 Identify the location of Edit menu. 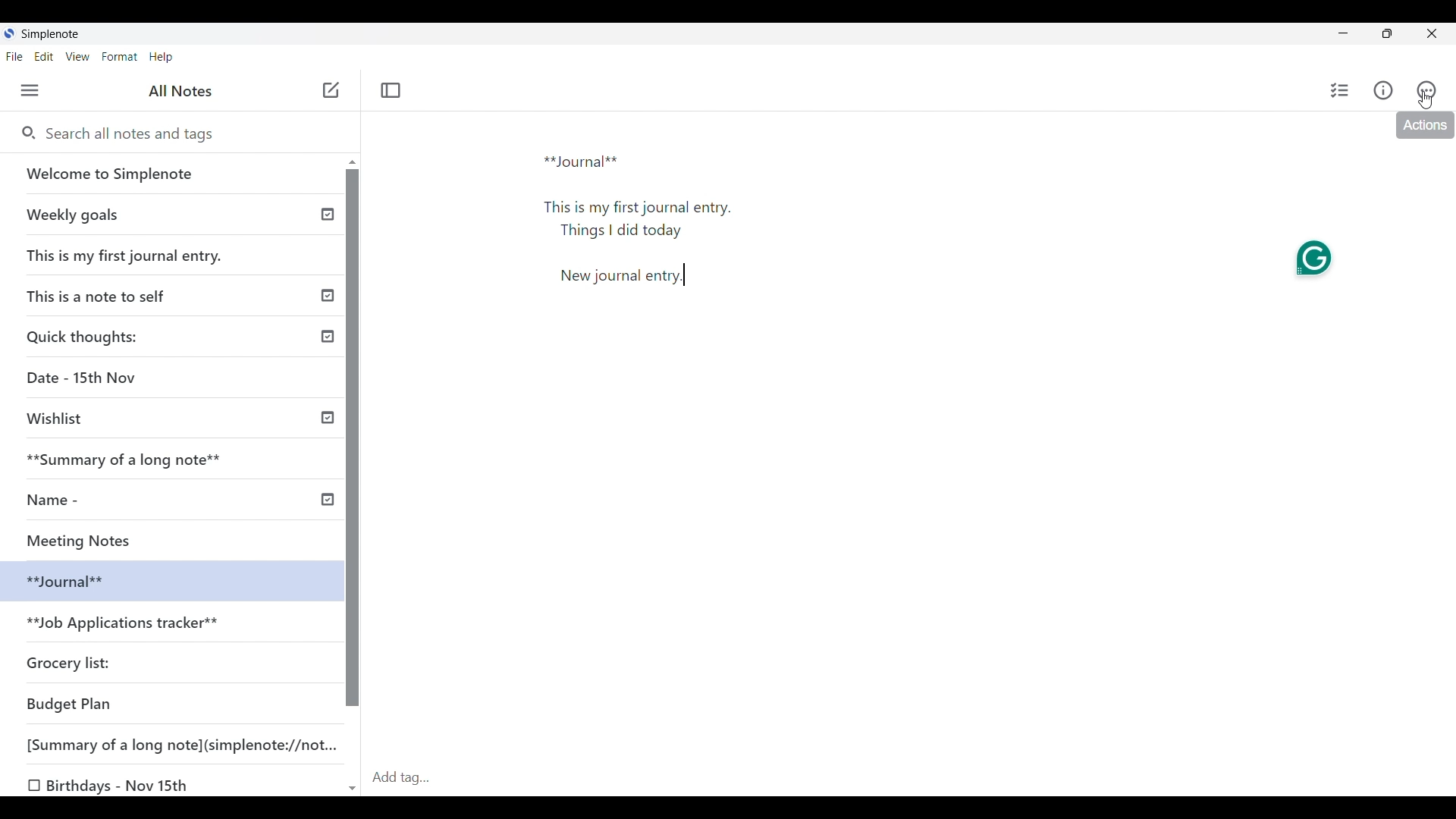
(44, 57).